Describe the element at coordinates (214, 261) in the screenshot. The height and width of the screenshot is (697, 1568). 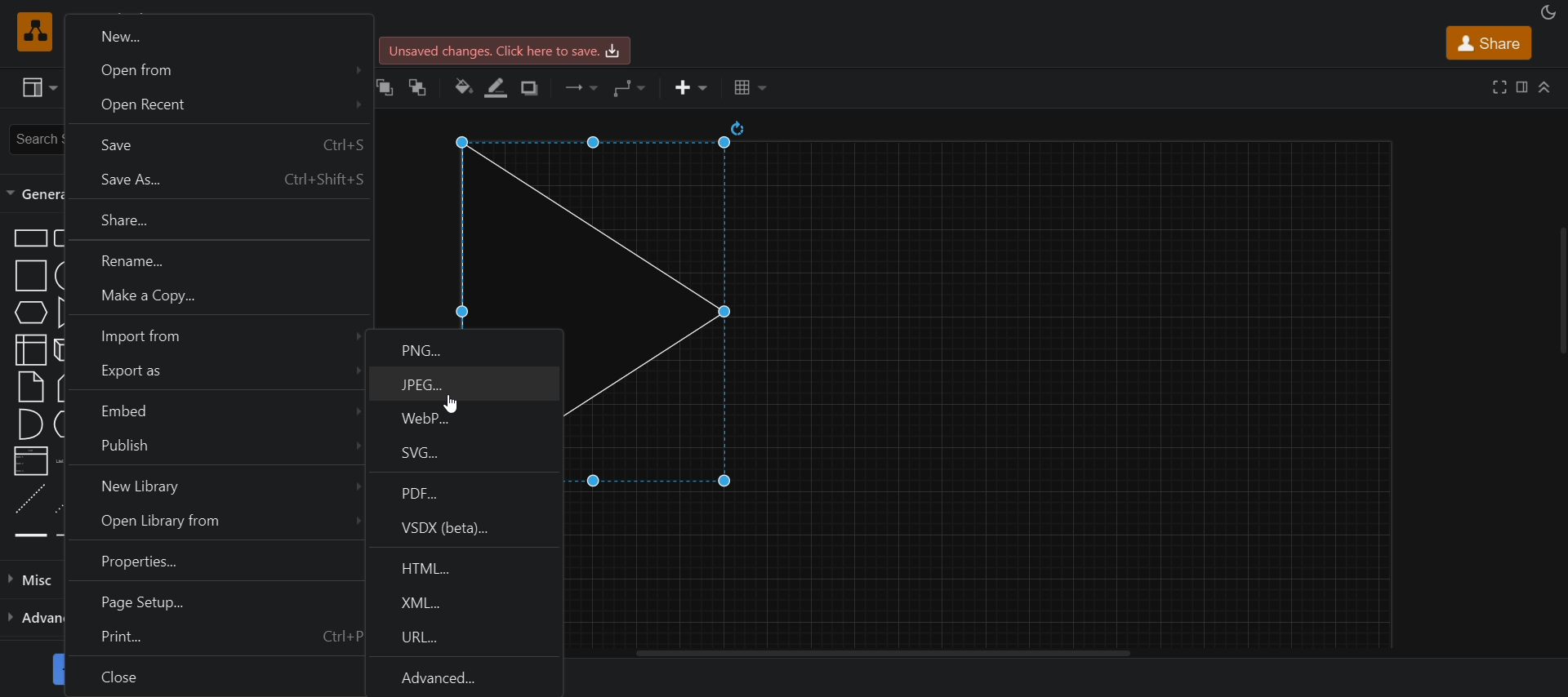
I see `rename` at that location.